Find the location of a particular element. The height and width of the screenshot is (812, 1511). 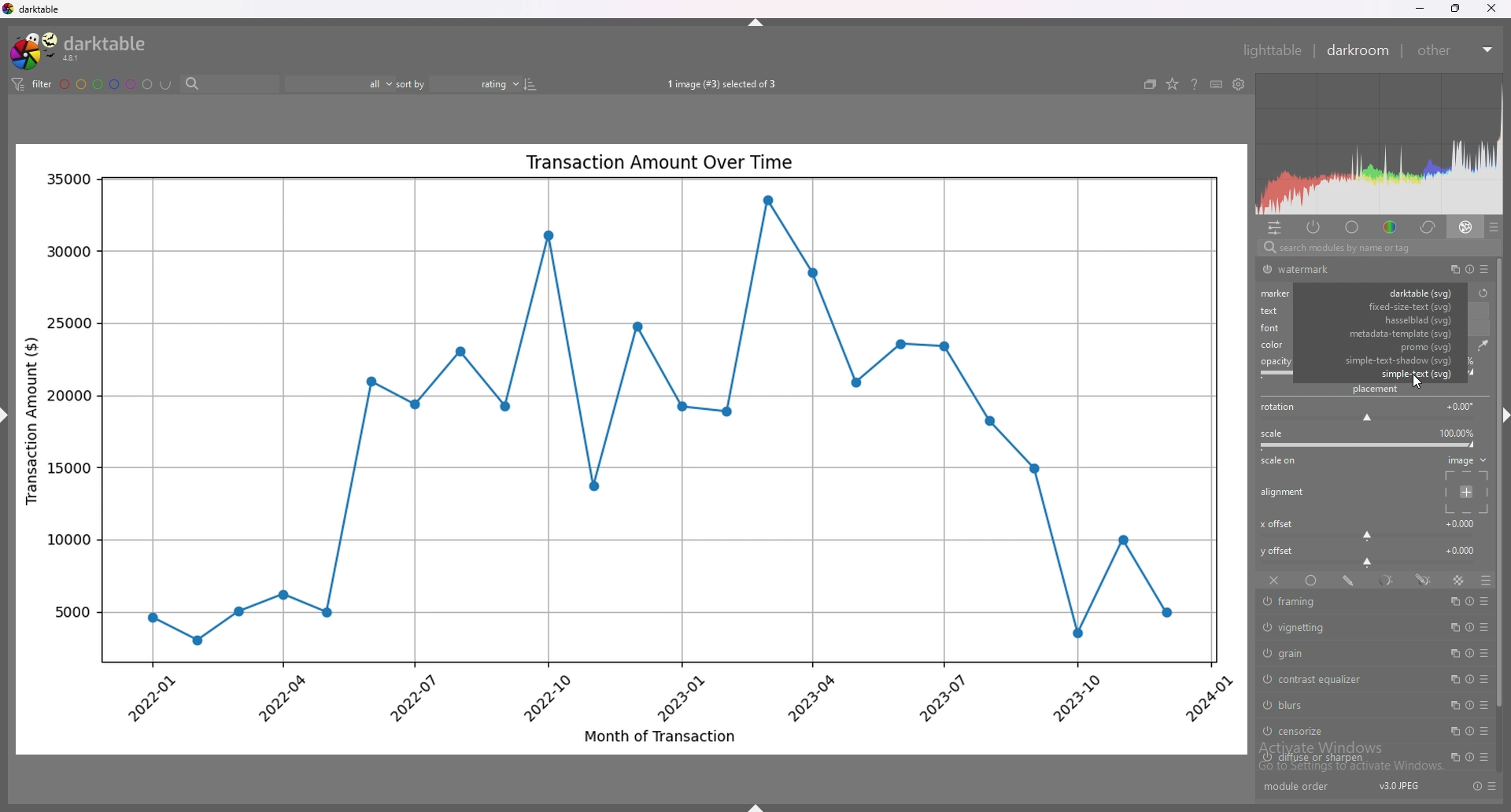

uniformly is located at coordinates (1311, 580).